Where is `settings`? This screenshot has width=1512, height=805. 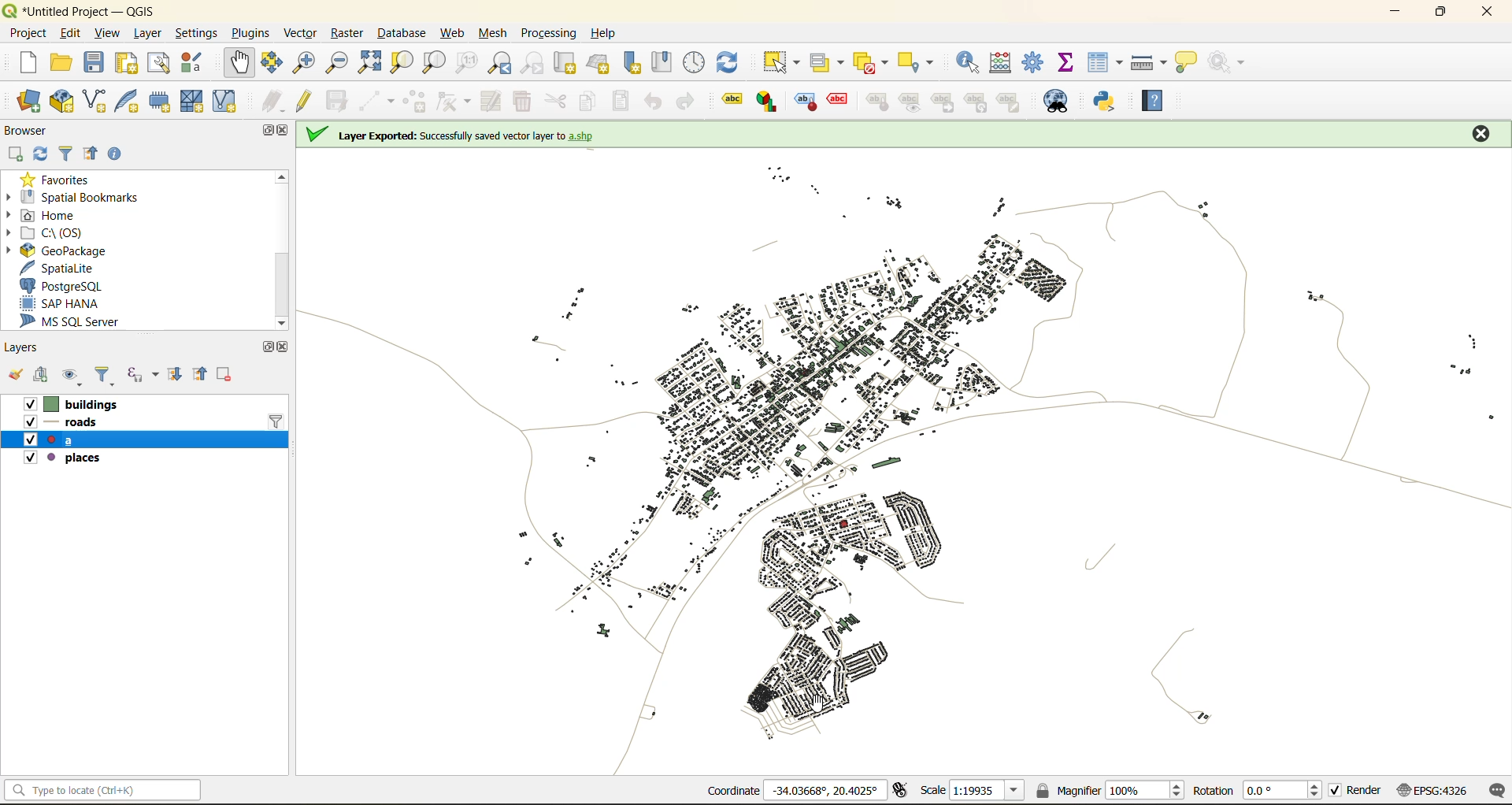
settings is located at coordinates (198, 31).